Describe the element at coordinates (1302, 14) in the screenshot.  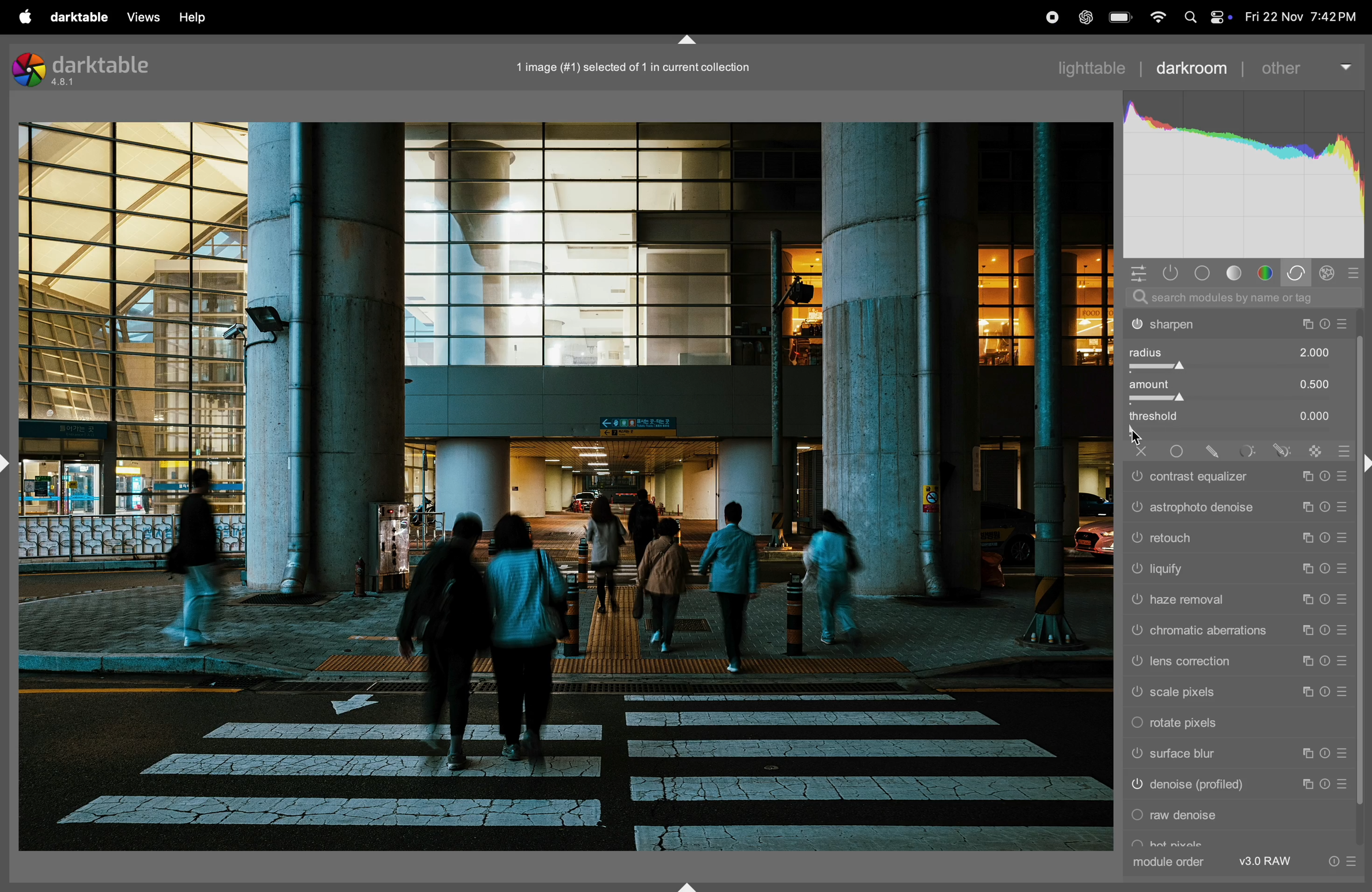
I see `date and time` at that location.